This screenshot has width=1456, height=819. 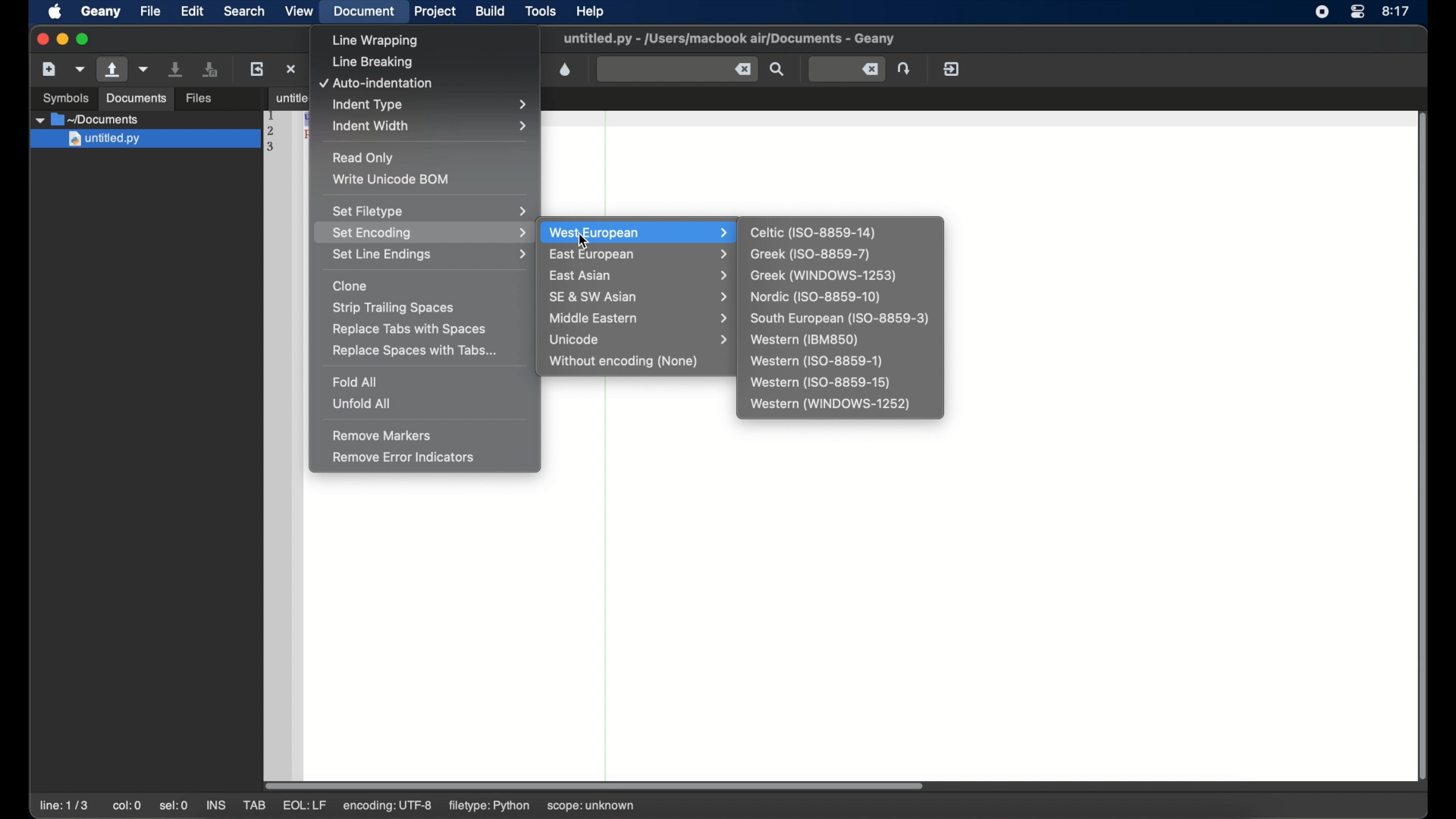 What do you see at coordinates (805, 340) in the screenshot?
I see `western` at bounding box center [805, 340].